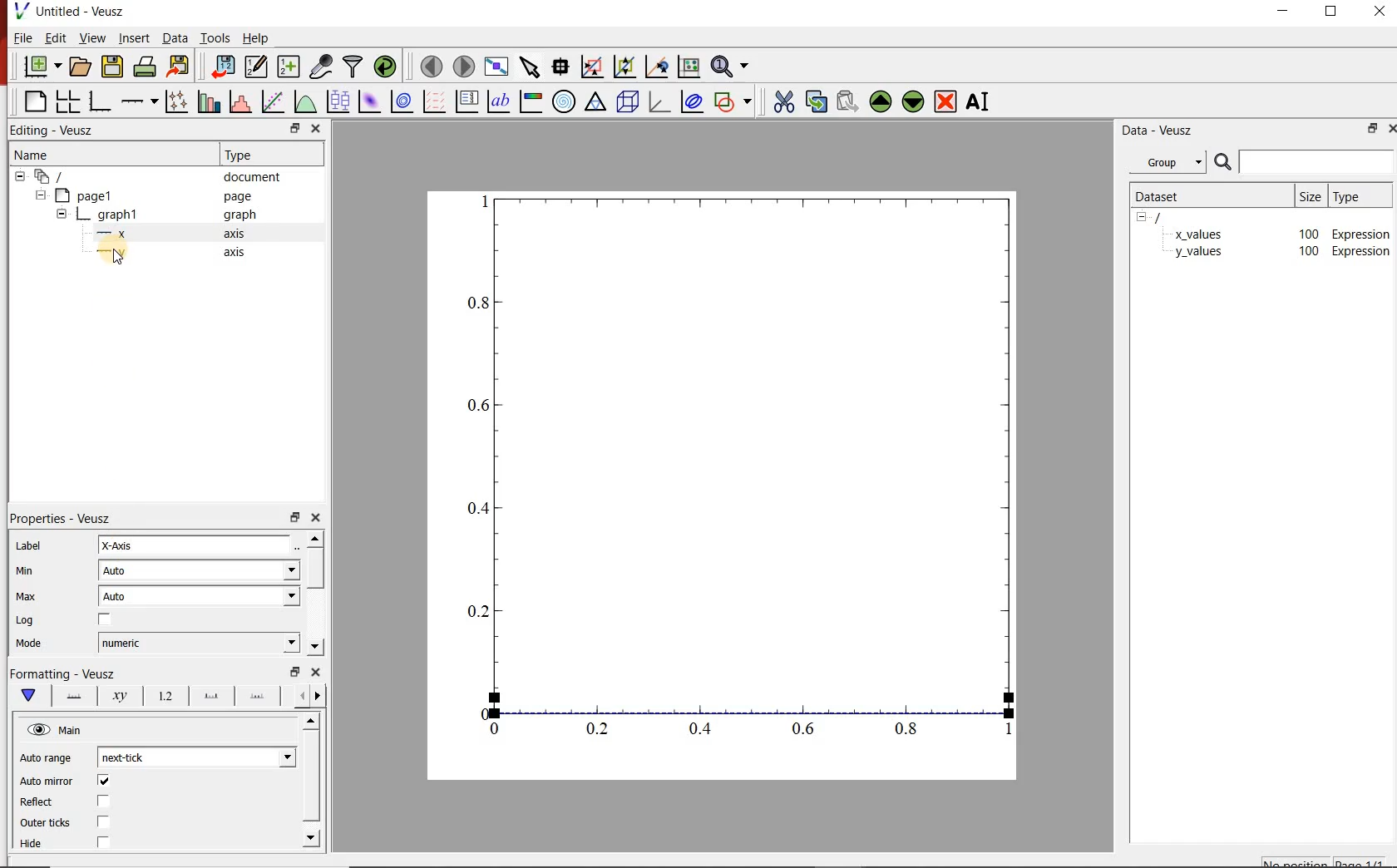 The width and height of the screenshot is (1397, 868). I want to click on print the documents, so click(145, 67).